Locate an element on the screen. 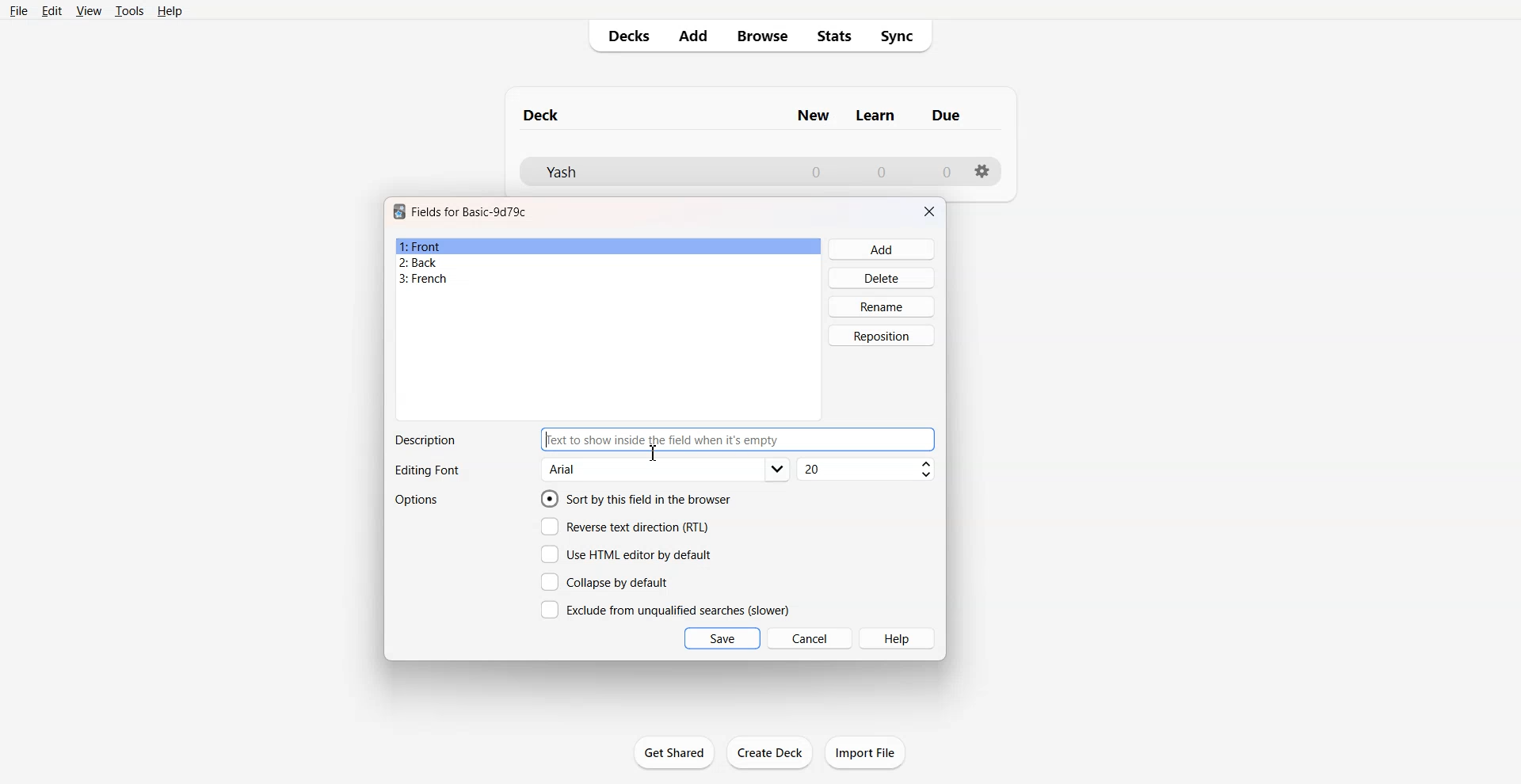 The height and width of the screenshot is (784, 1521). Text 1 is located at coordinates (542, 115).